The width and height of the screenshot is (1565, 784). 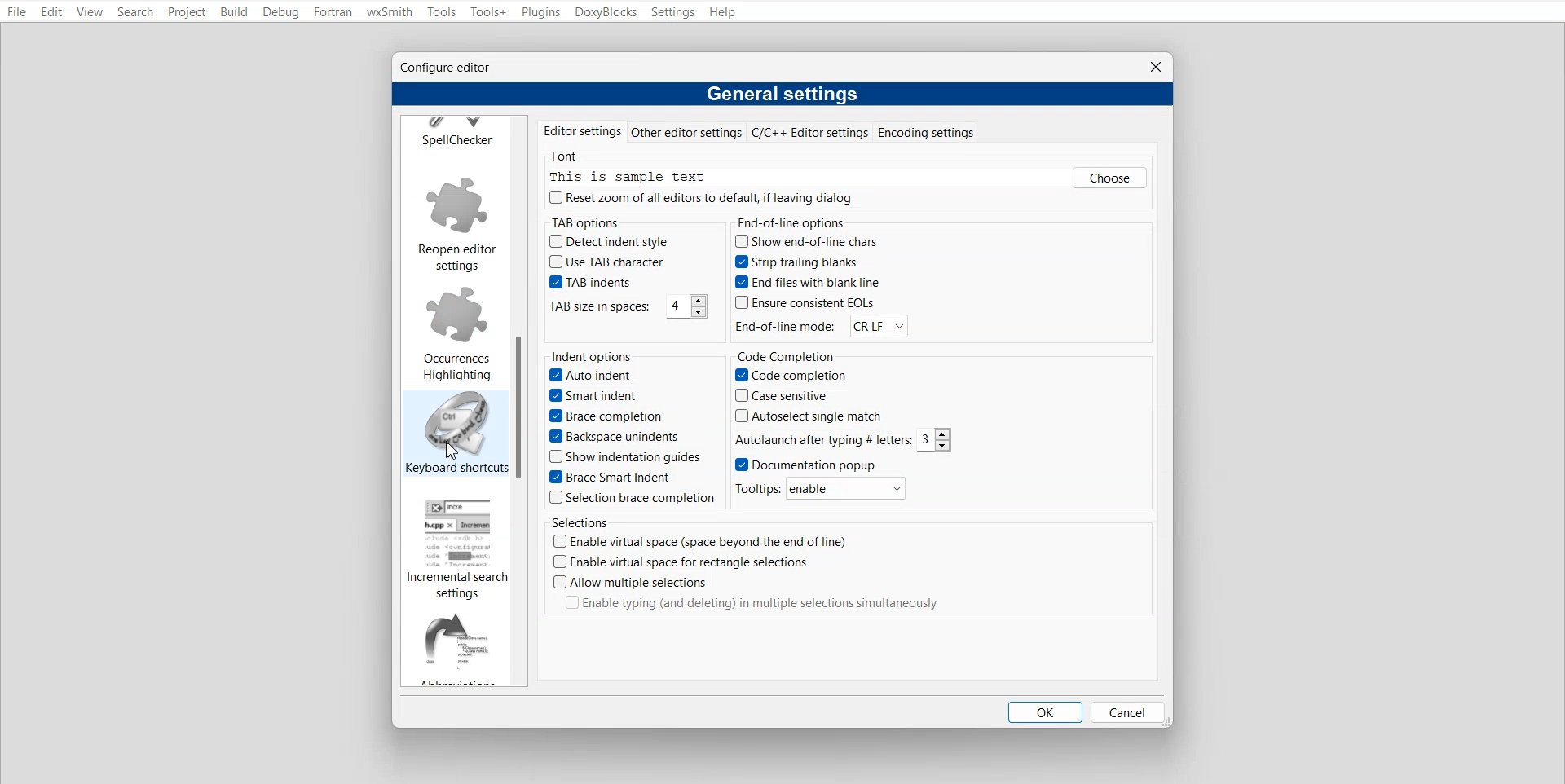 I want to click on Editor settings, so click(x=580, y=130).